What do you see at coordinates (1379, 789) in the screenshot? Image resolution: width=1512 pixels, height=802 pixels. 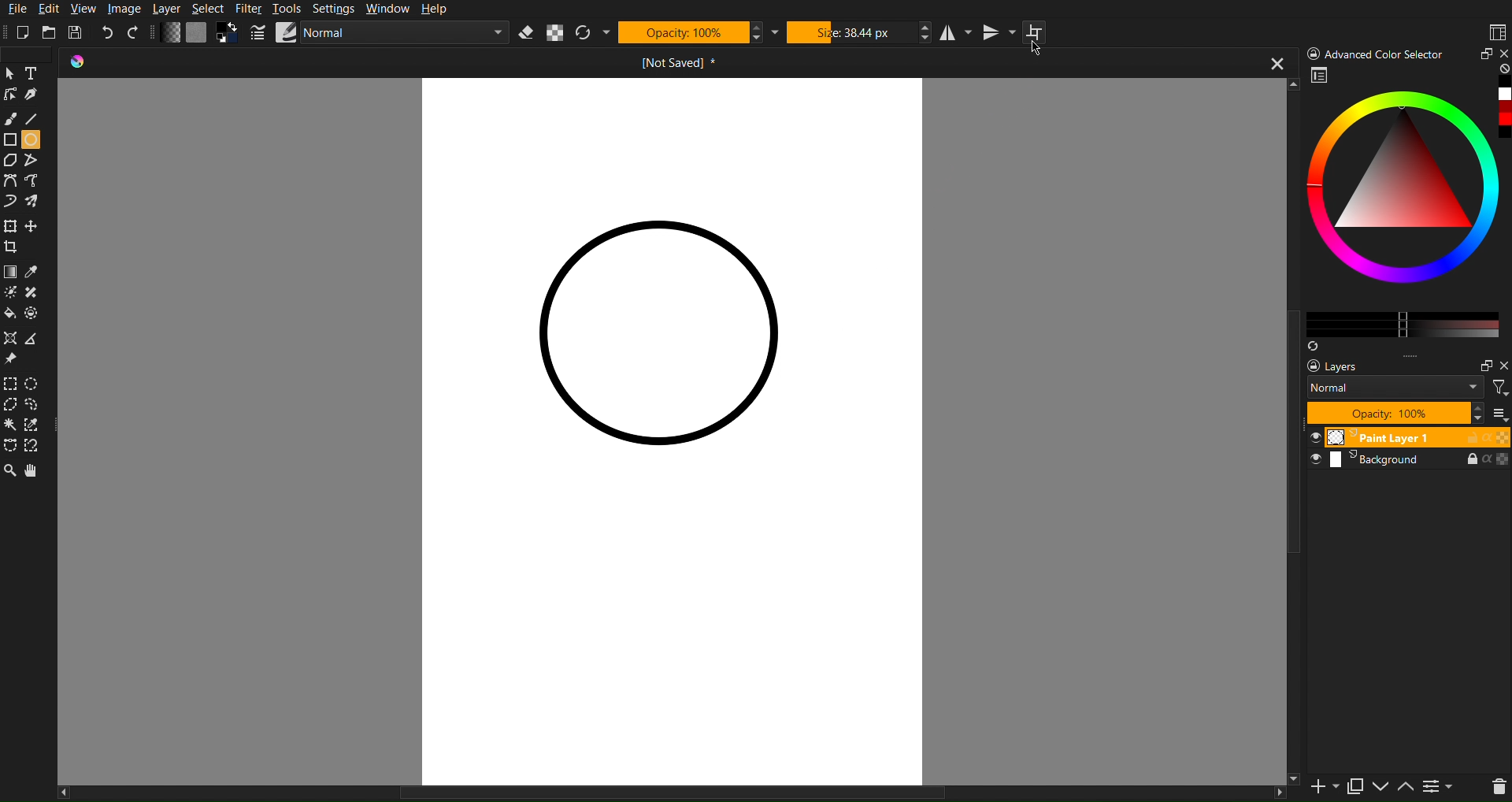 I see `down` at bounding box center [1379, 789].